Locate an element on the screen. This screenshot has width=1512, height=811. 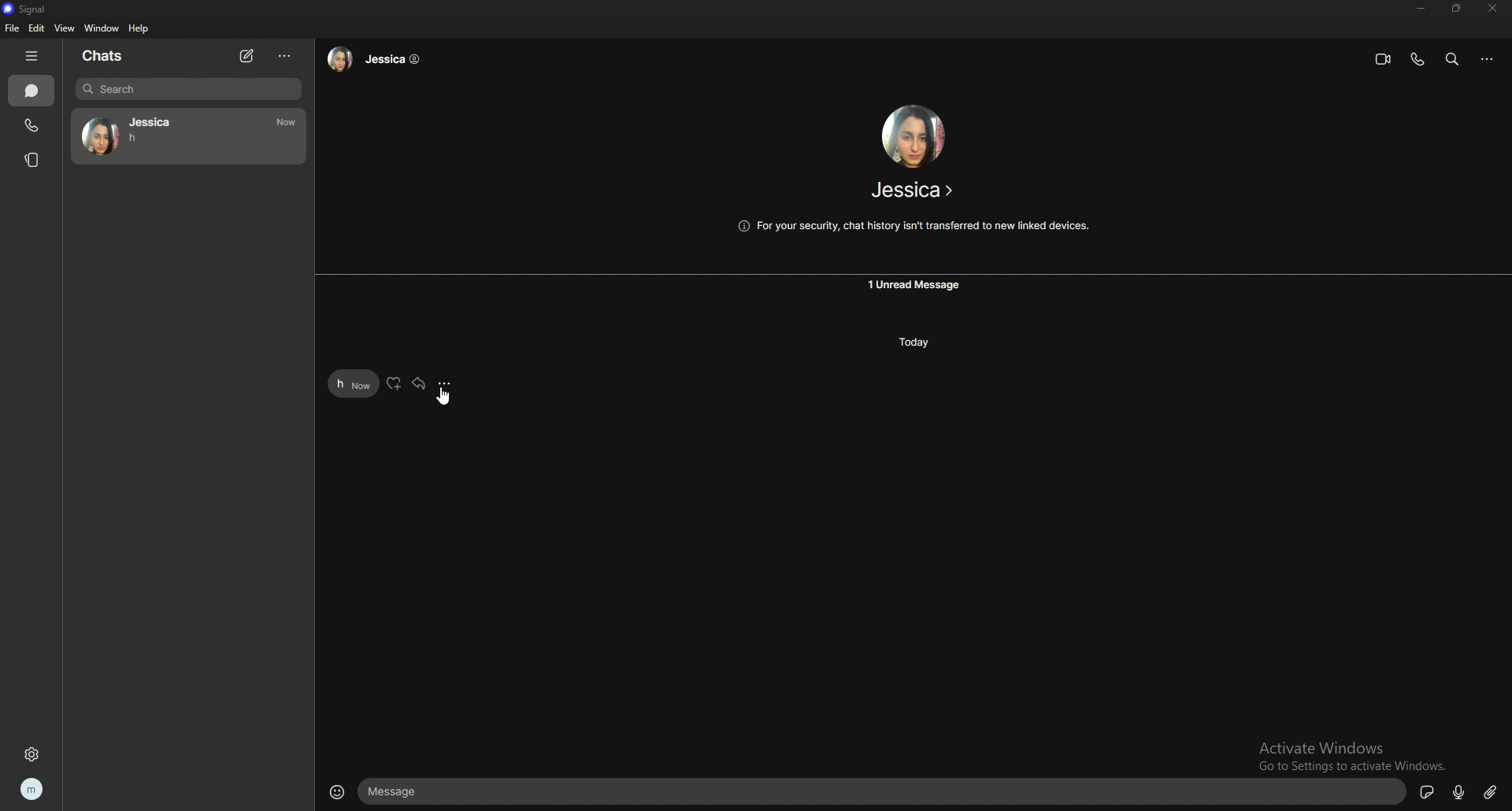
Activate Windows is located at coordinates (1329, 746).